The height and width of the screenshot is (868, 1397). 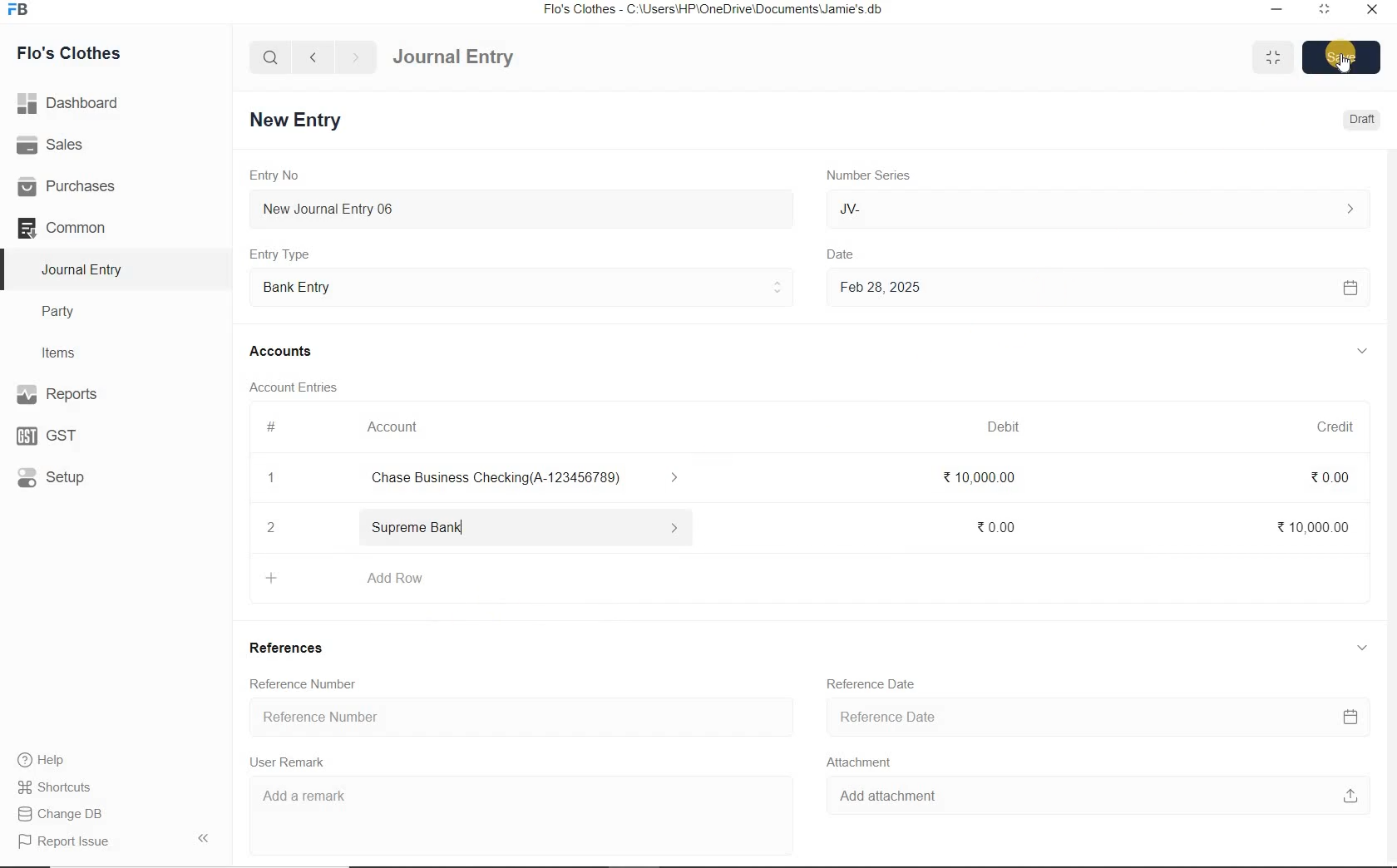 I want to click on Debit, so click(x=1012, y=427).